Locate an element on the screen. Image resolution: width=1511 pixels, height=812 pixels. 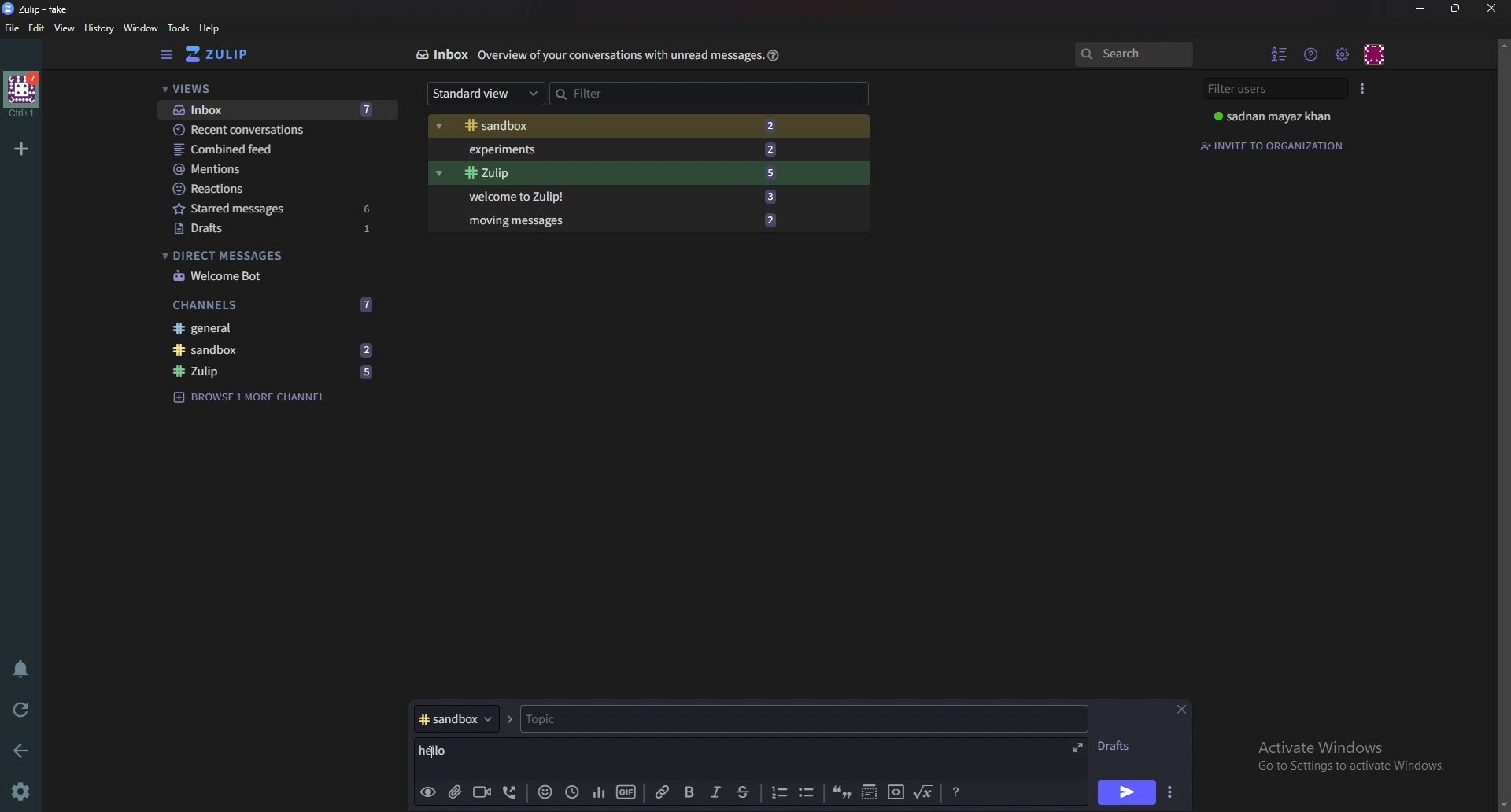
code is located at coordinates (895, 793).